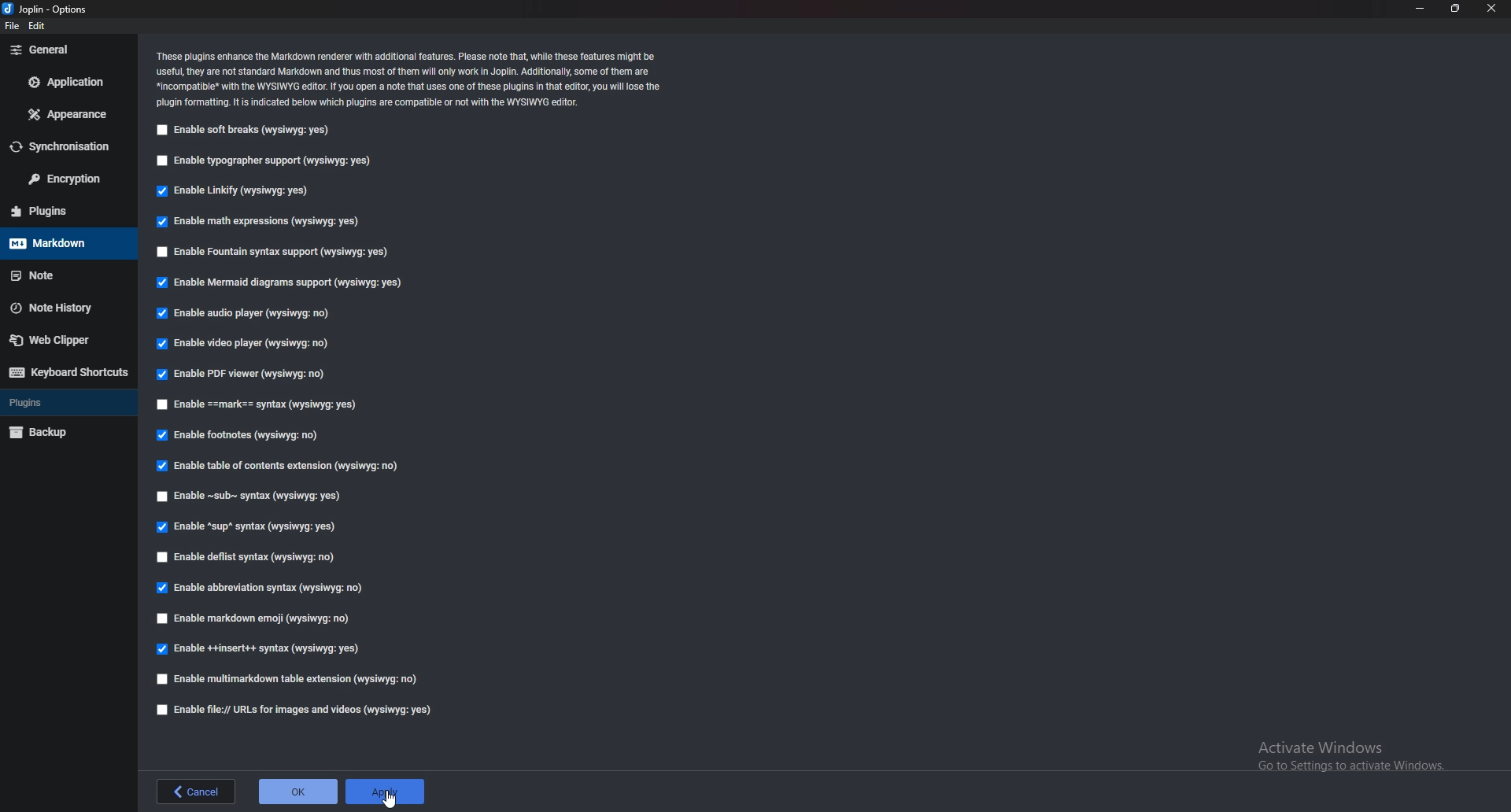 Image resolution: width=1511 pixels, height=812 pixels. I want to click on Plugins, so click(63, 212).